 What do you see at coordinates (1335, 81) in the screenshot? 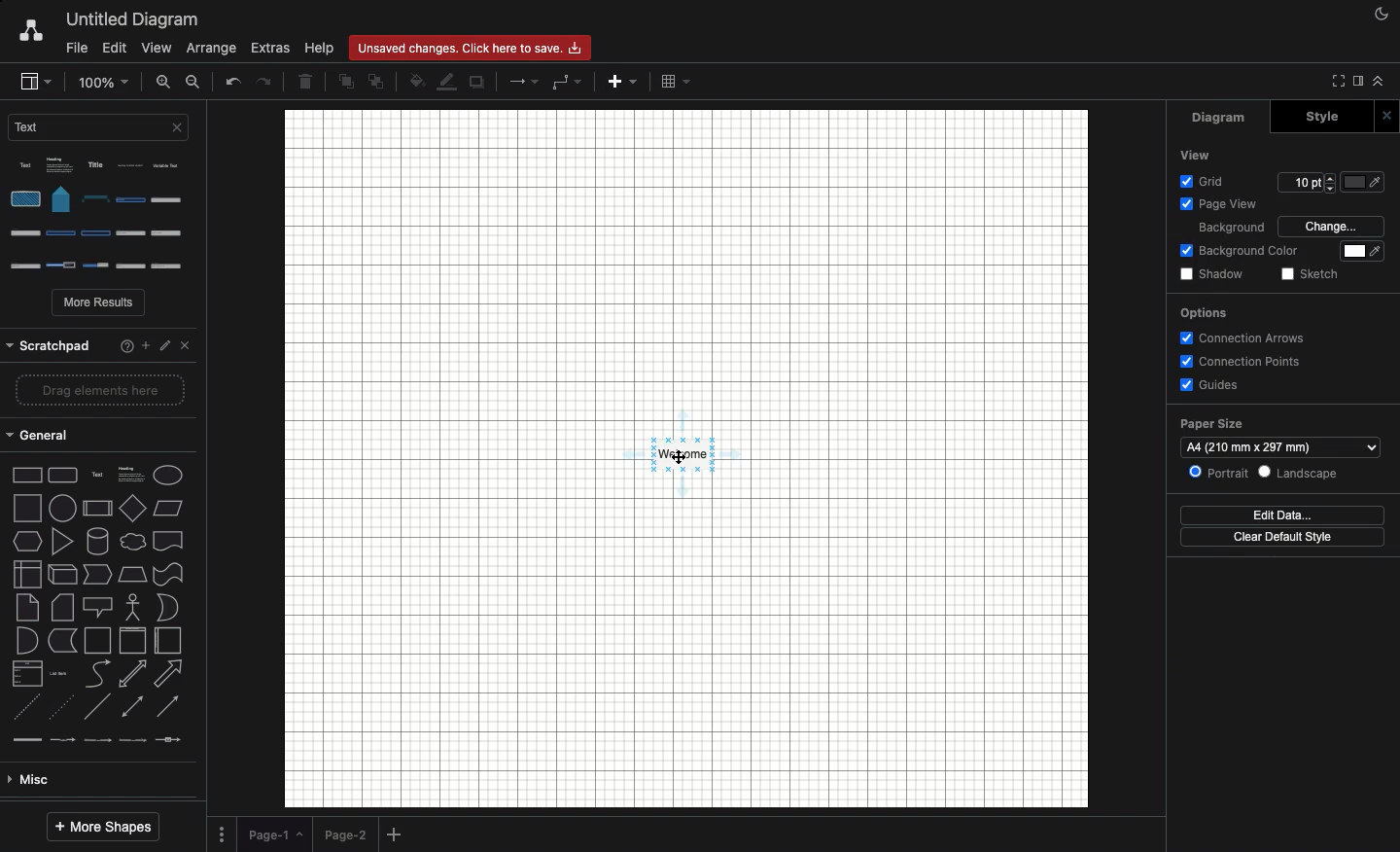
I see `Fullscreen` at bounding box center [1335, 81].